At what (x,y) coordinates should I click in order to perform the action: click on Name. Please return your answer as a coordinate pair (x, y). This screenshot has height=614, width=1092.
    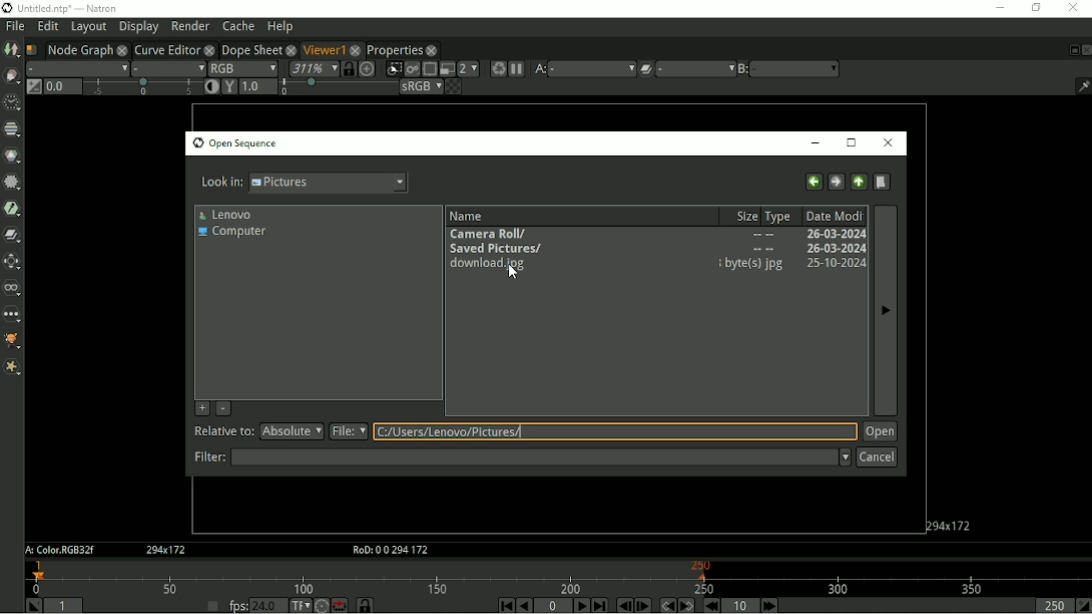
    Looking at the image, I should click on (466, 216).